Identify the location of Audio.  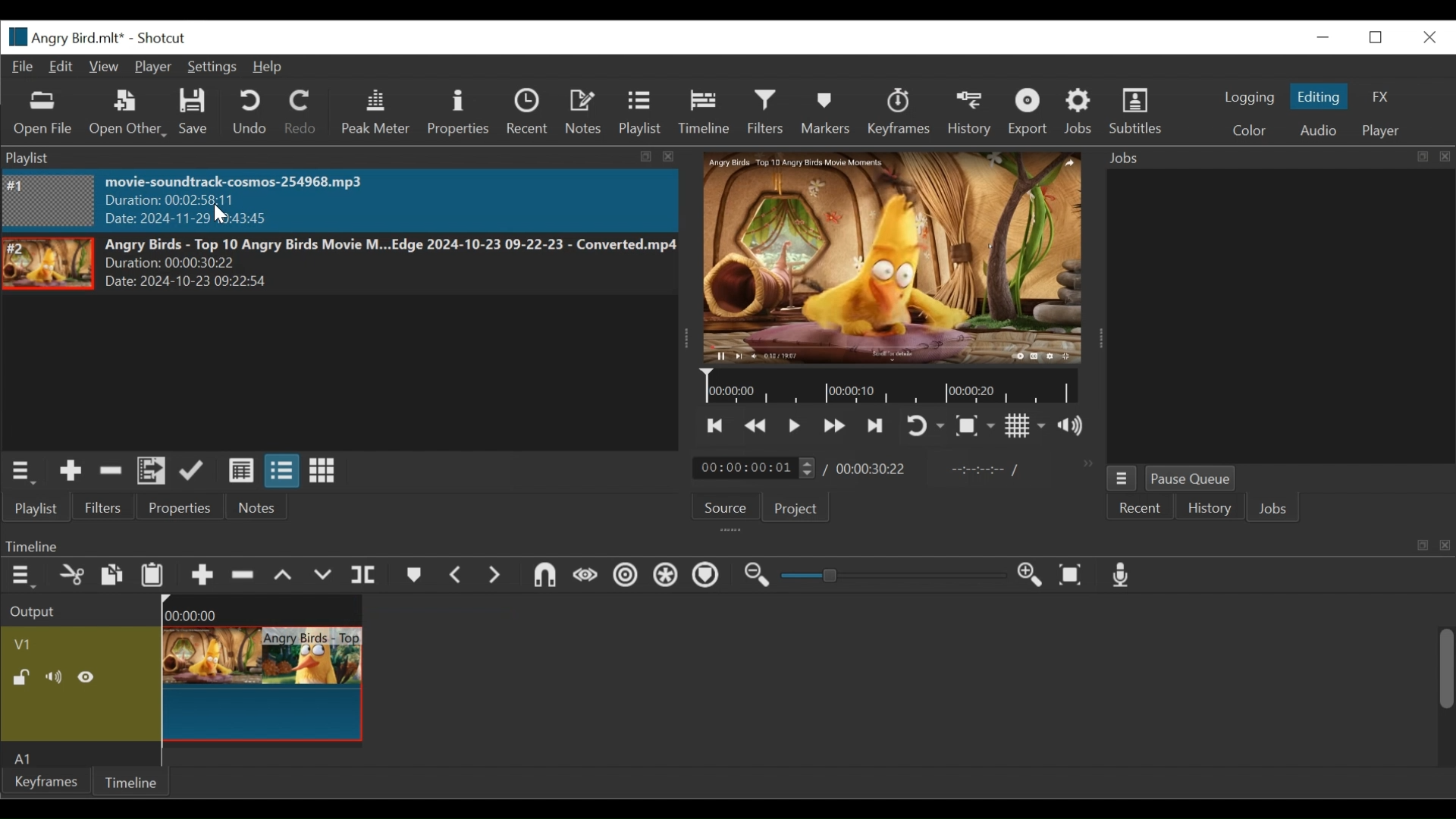
(1319, 130).